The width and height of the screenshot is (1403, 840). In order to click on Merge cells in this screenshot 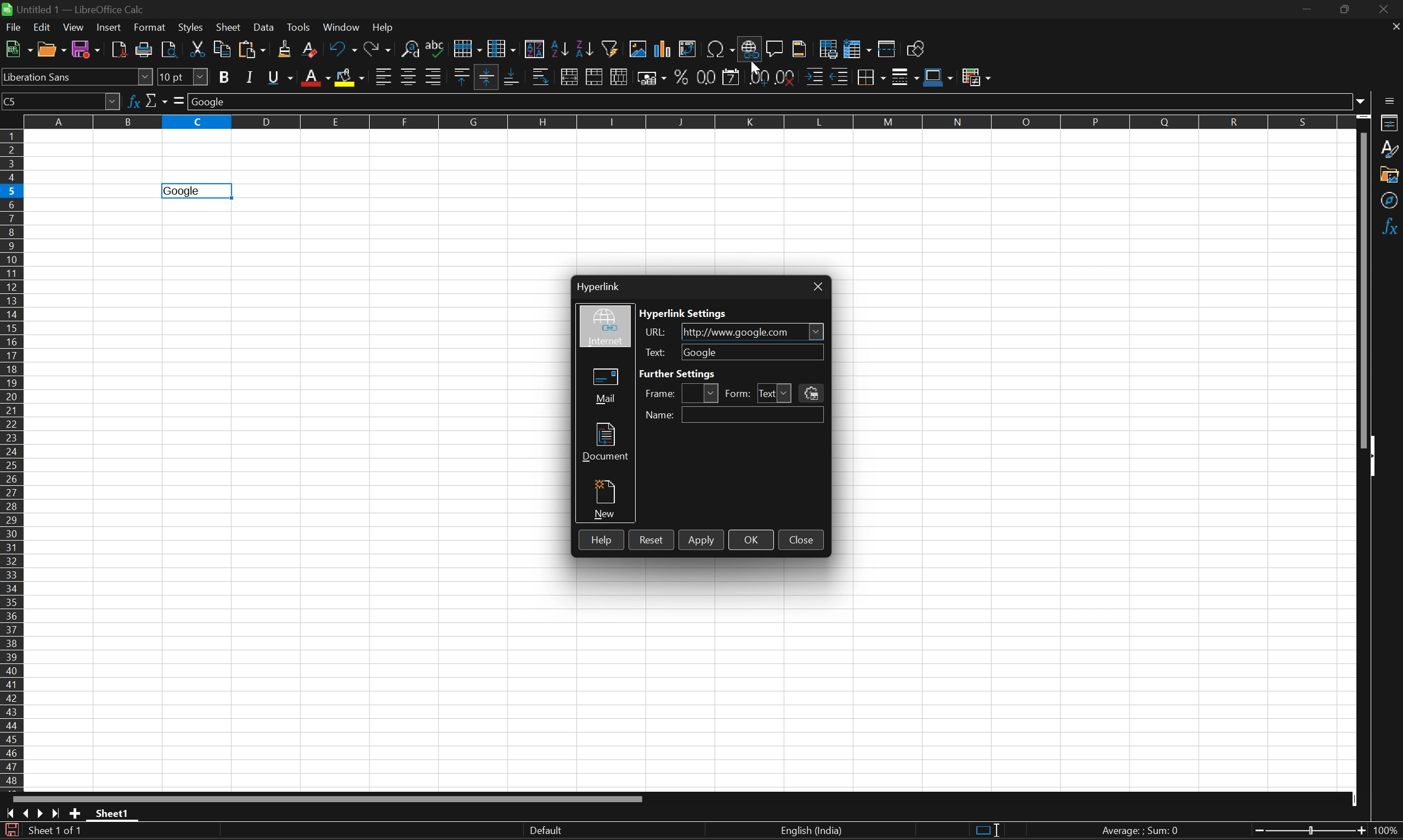, I will do `click(596, 78)`.